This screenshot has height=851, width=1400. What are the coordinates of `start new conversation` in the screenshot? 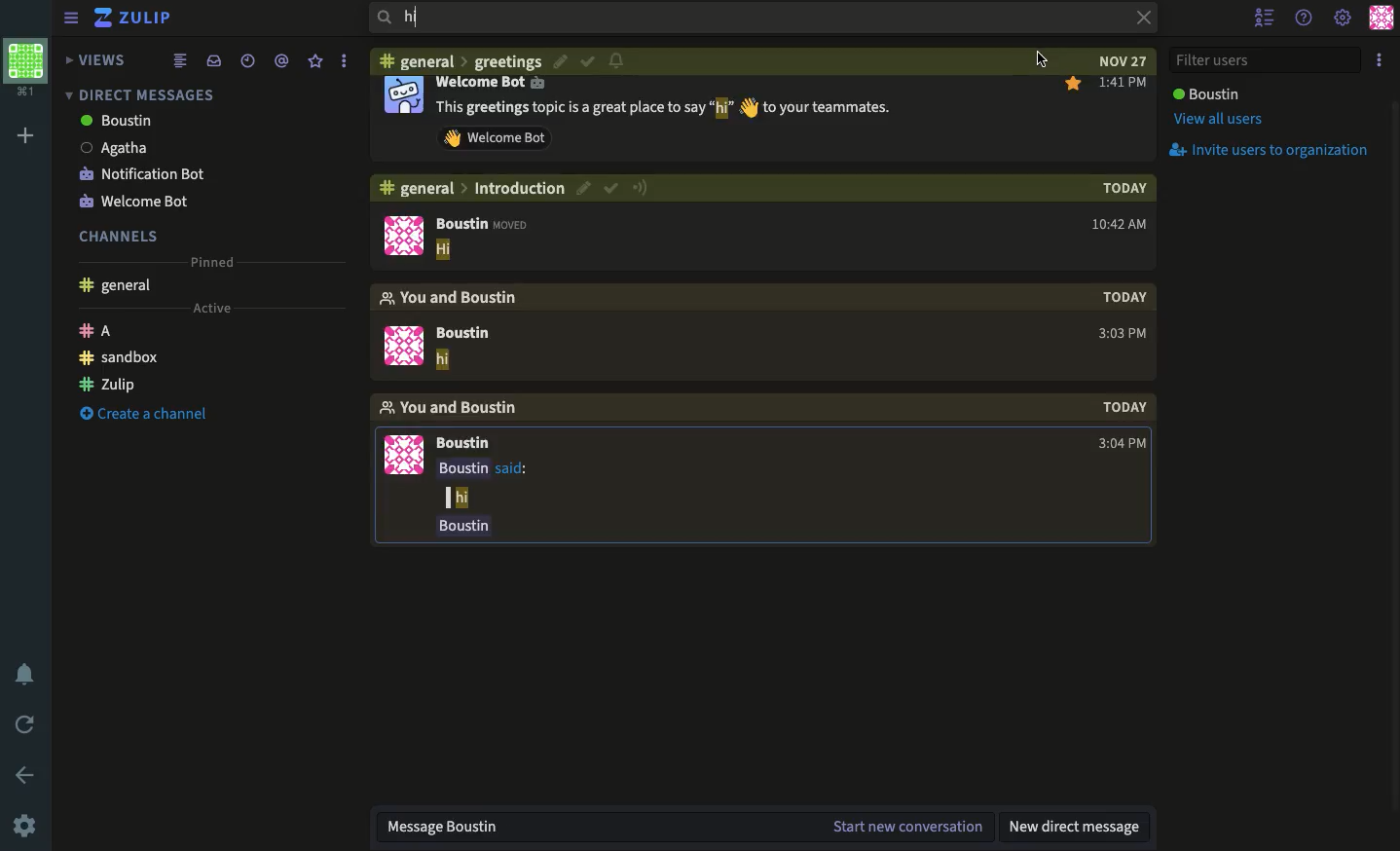 It's located at (909, 828).